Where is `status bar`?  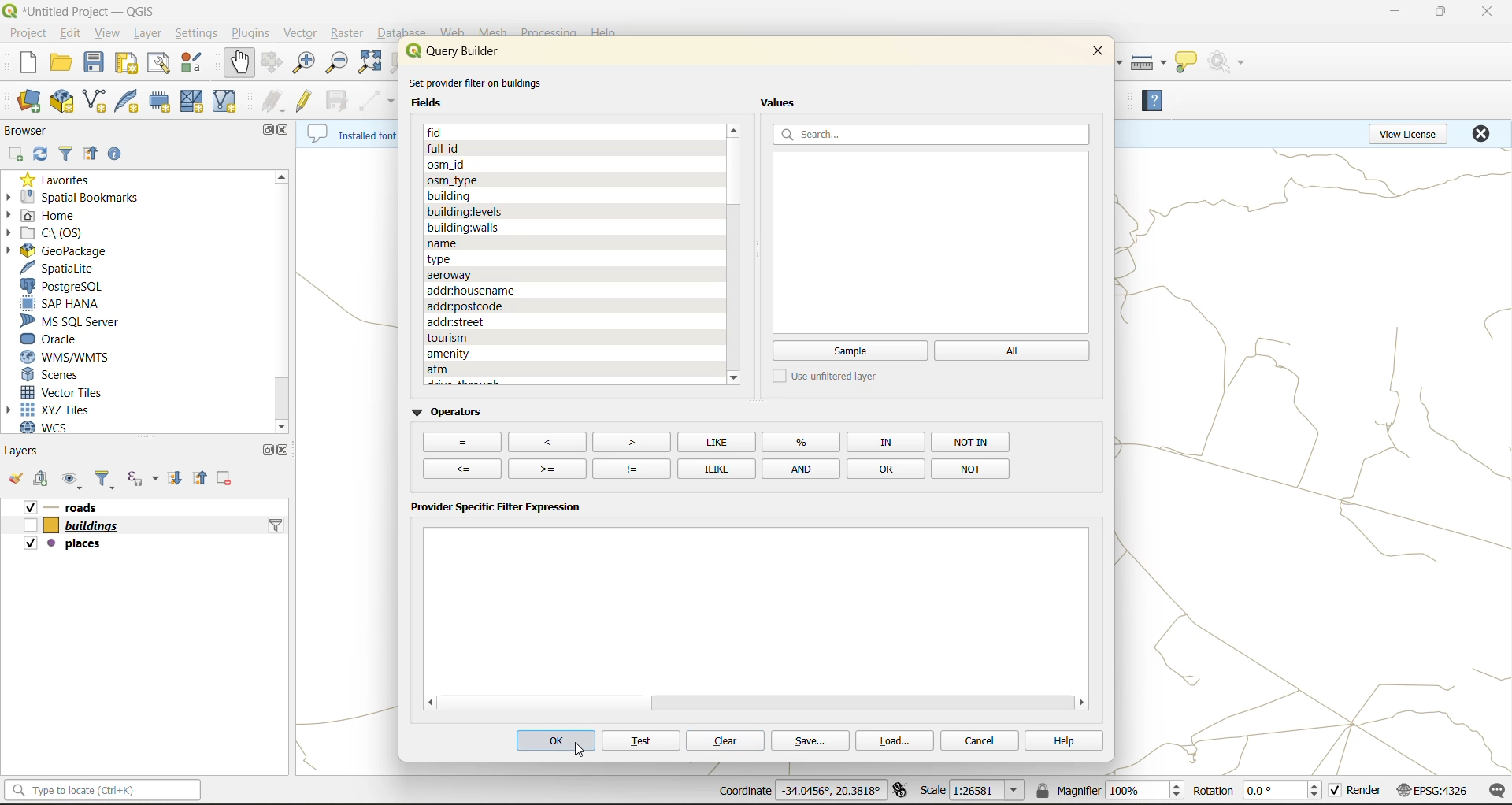 status bar is located at coordinates (101, 793).